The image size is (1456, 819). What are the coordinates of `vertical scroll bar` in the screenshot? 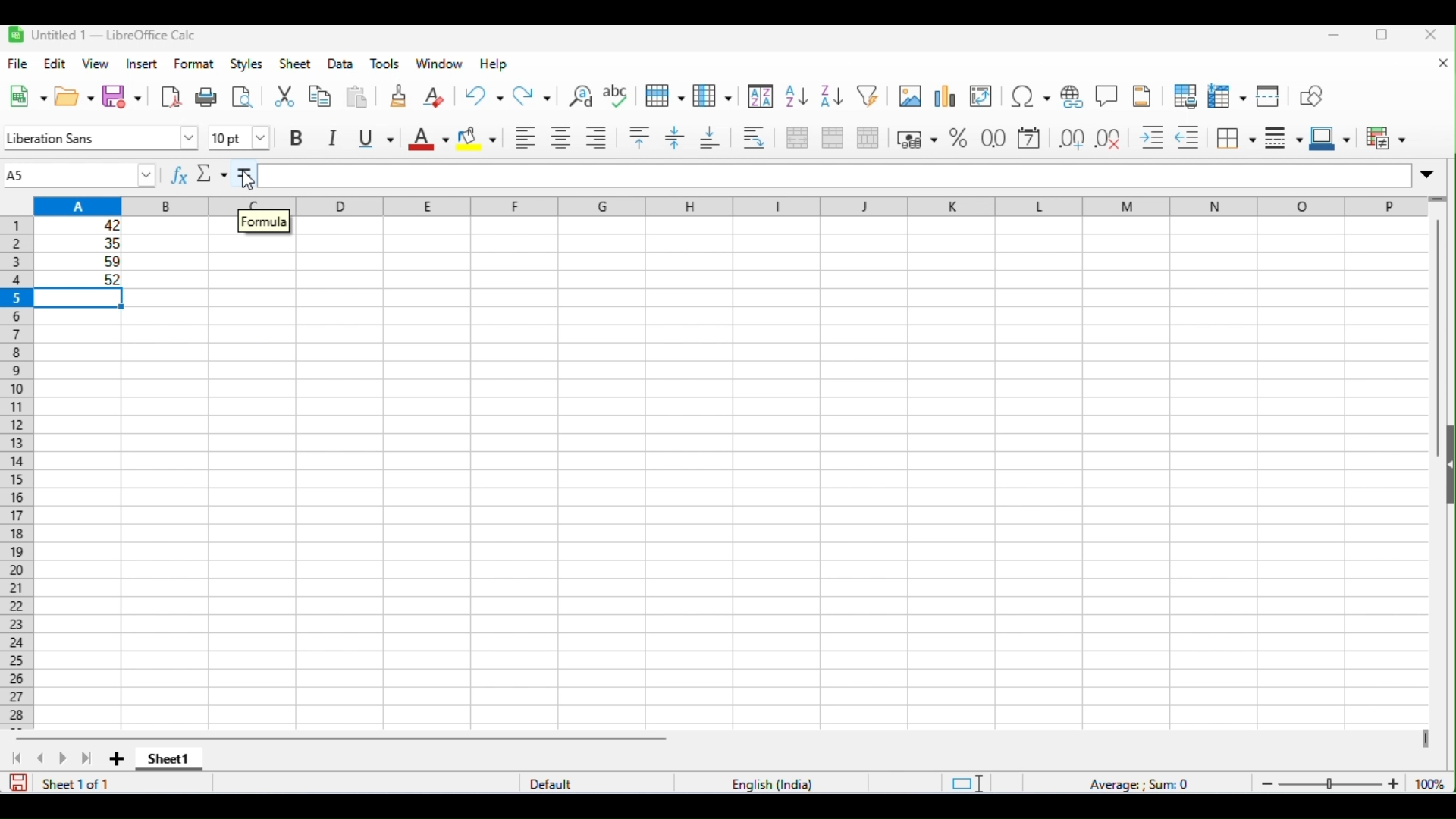 It's located at (1436, 340).